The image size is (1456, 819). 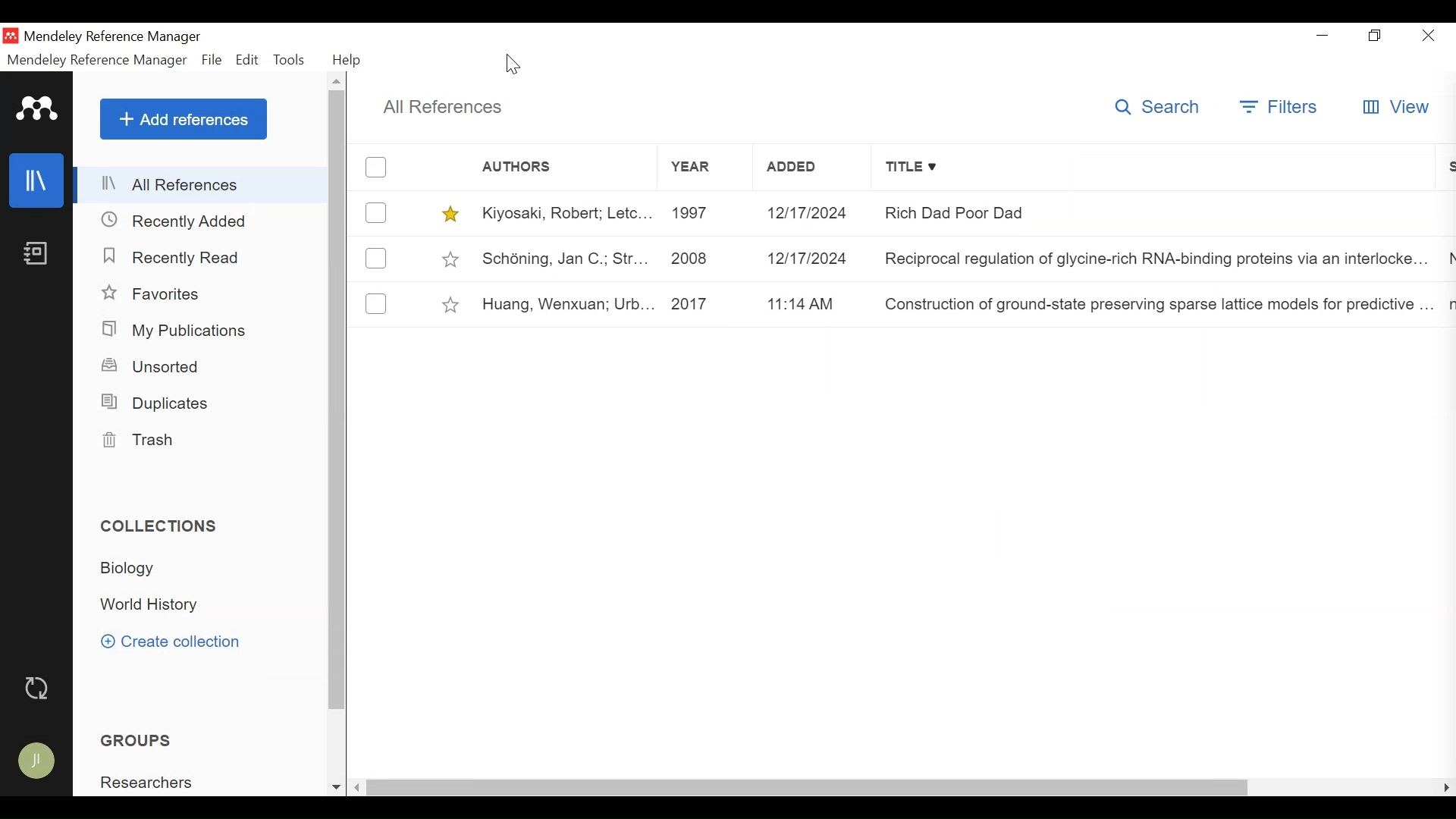 What do you see at coordinates (289, 61) in the screenshot?
I see `Tools` at bounding box center [289, 61].